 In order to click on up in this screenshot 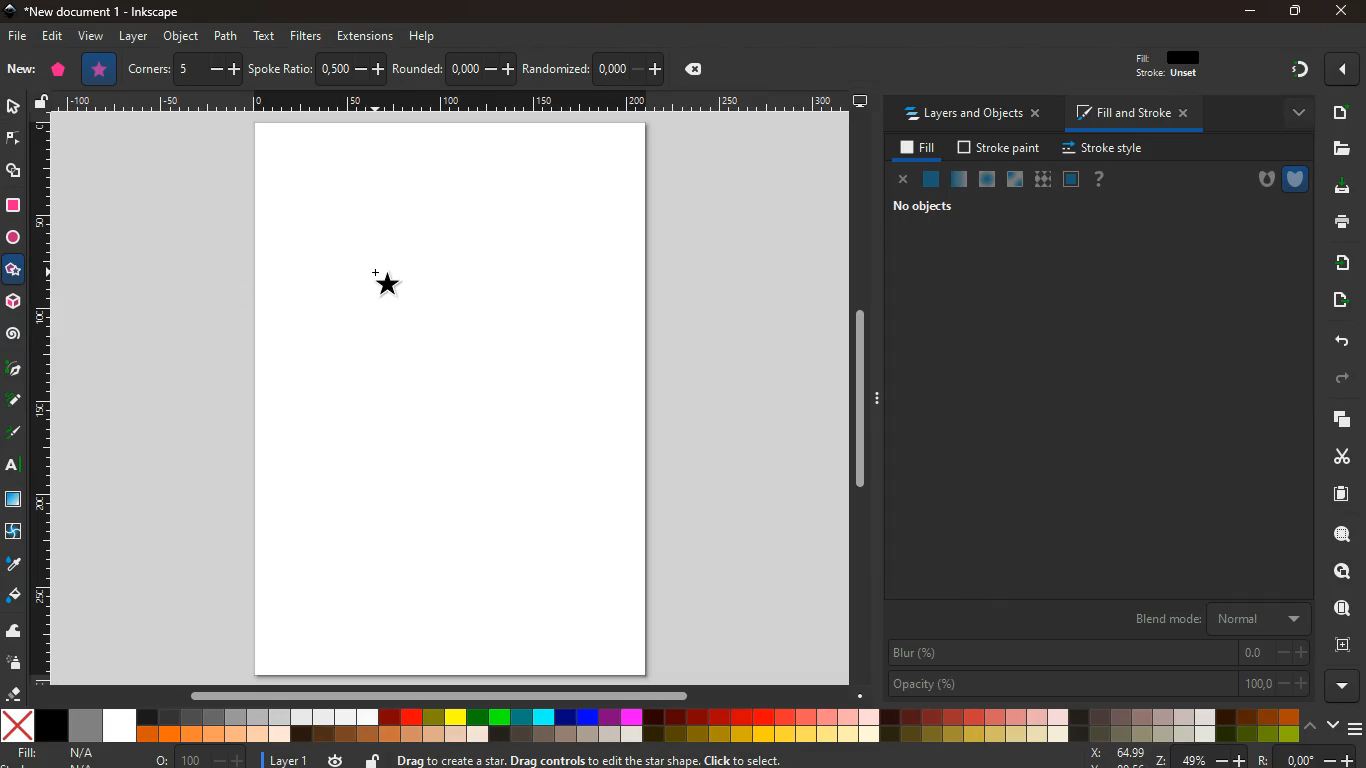, I will do `click(1310, 725)`.